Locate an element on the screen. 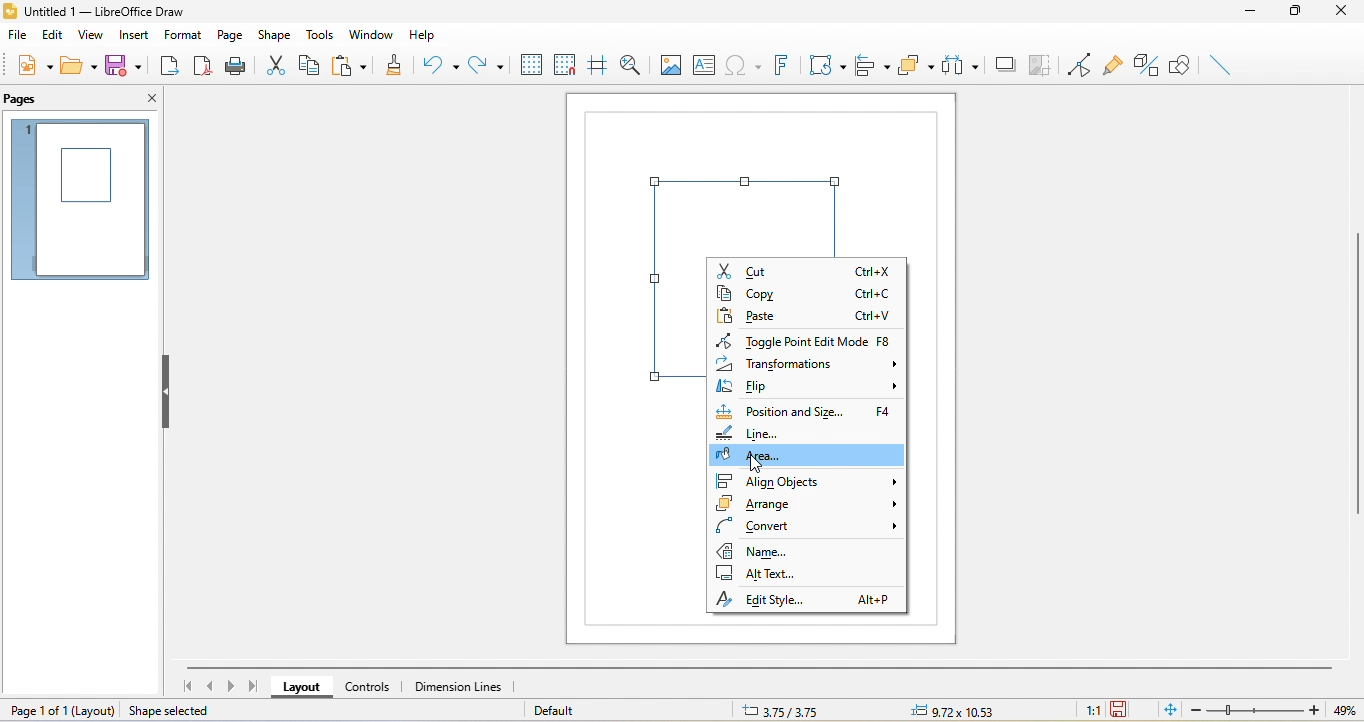  format is located at coordinates (181, 32).